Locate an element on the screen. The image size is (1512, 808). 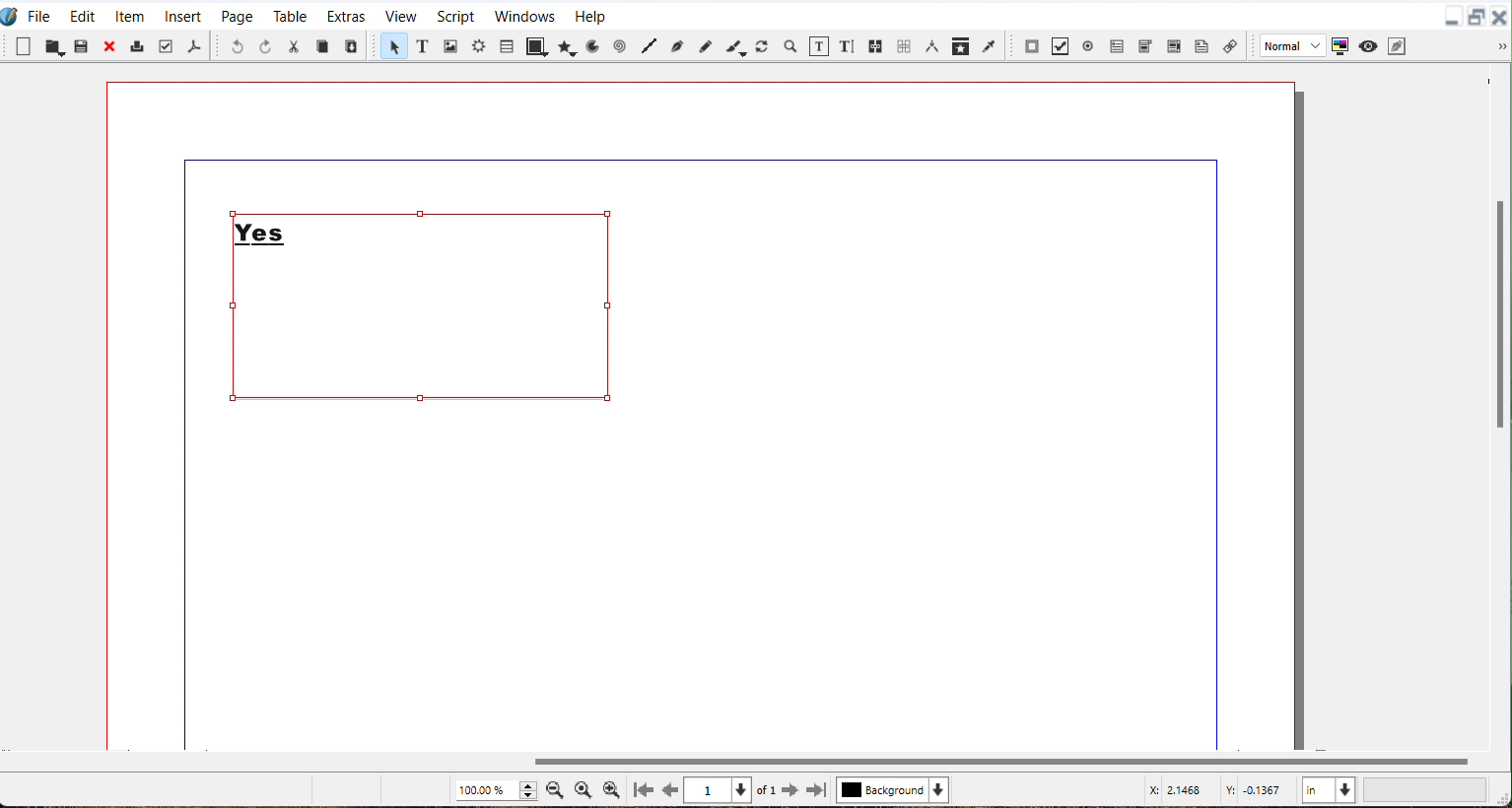
Unlink text frame is located at coordinates (904, 45).